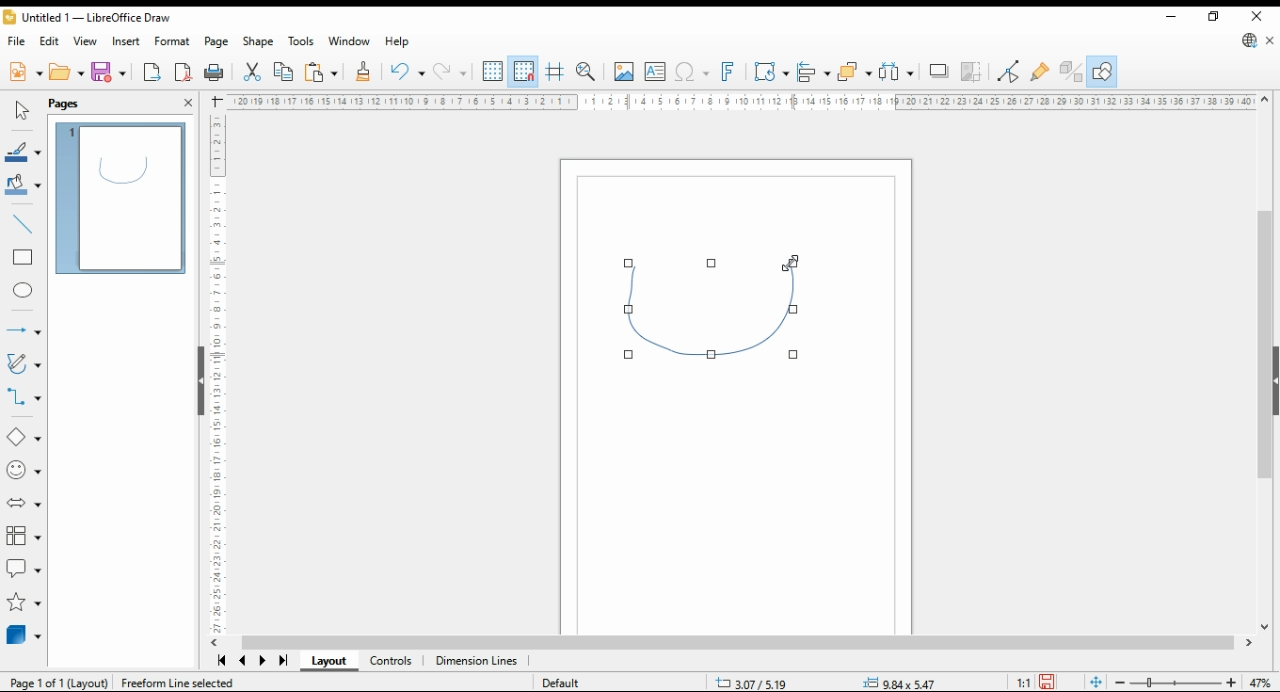  What do you see at coordinates (477, 661) in the screenshot?
I see `dimensions` at bounding box center [477, 661].